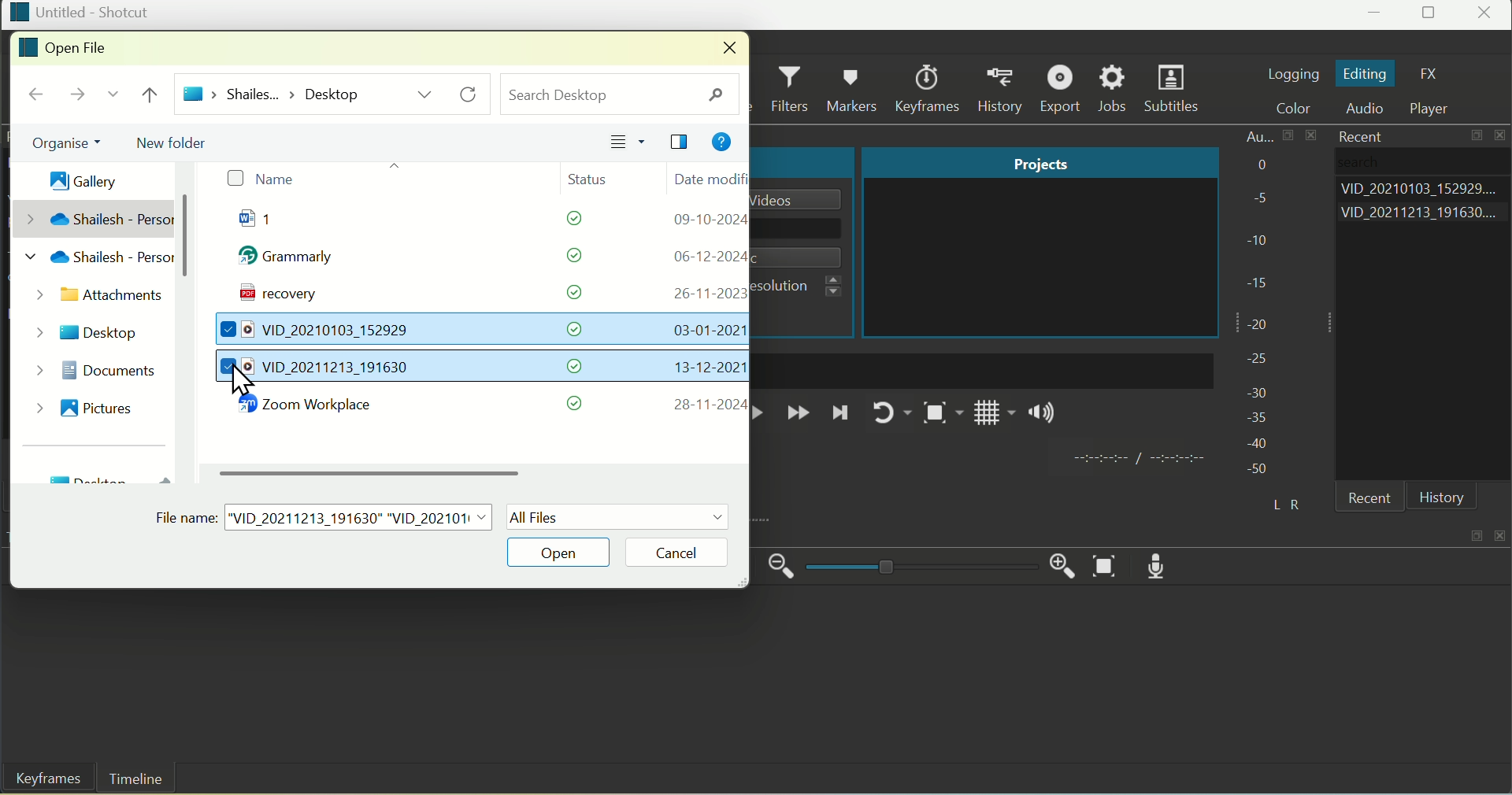 The width and height of the screenshot is (1512, 795). I want to click on Maximize, so click(1431, 15).